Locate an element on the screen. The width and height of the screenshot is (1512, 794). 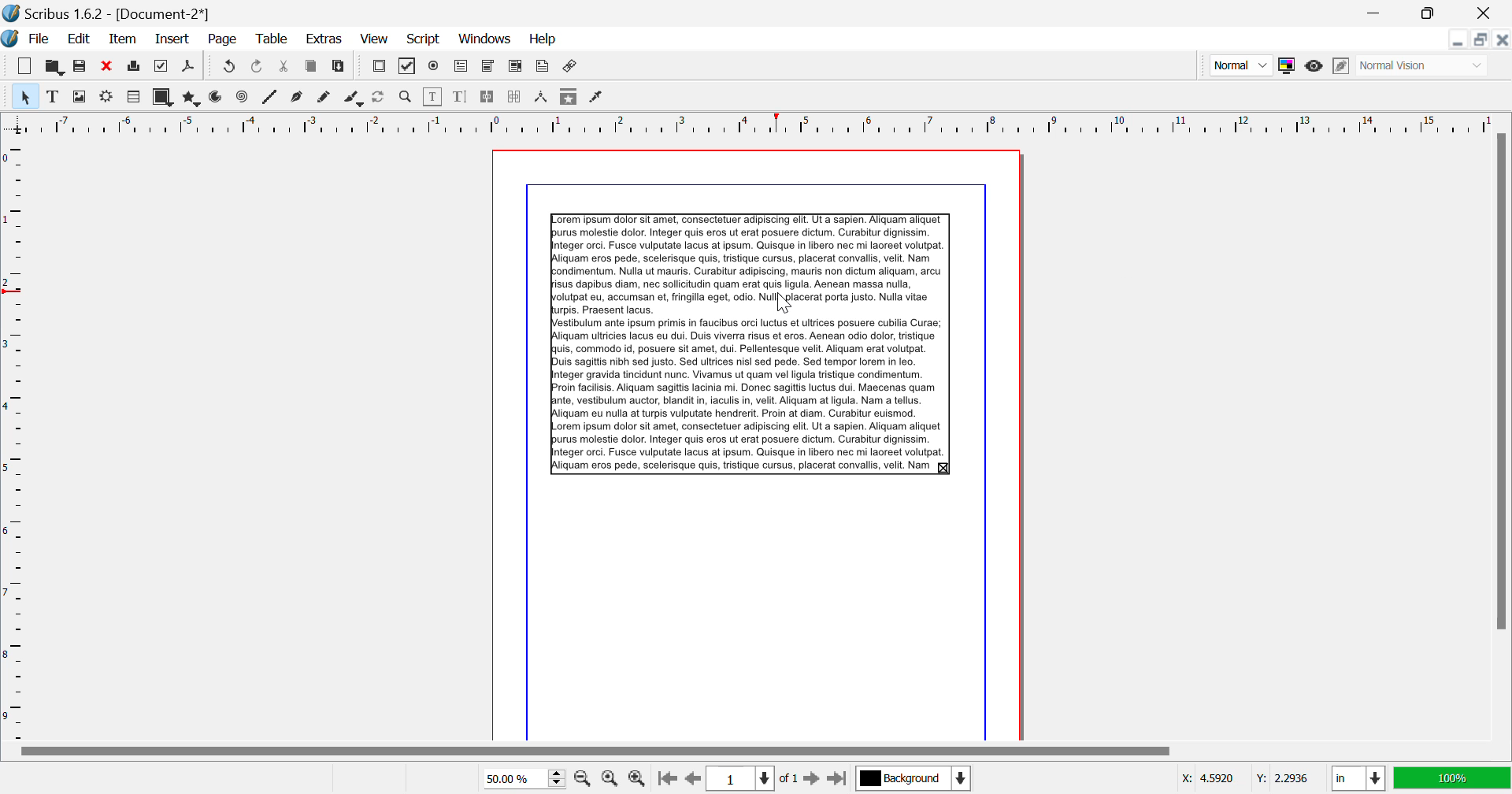
First Page is located at coordinates (665, 780).